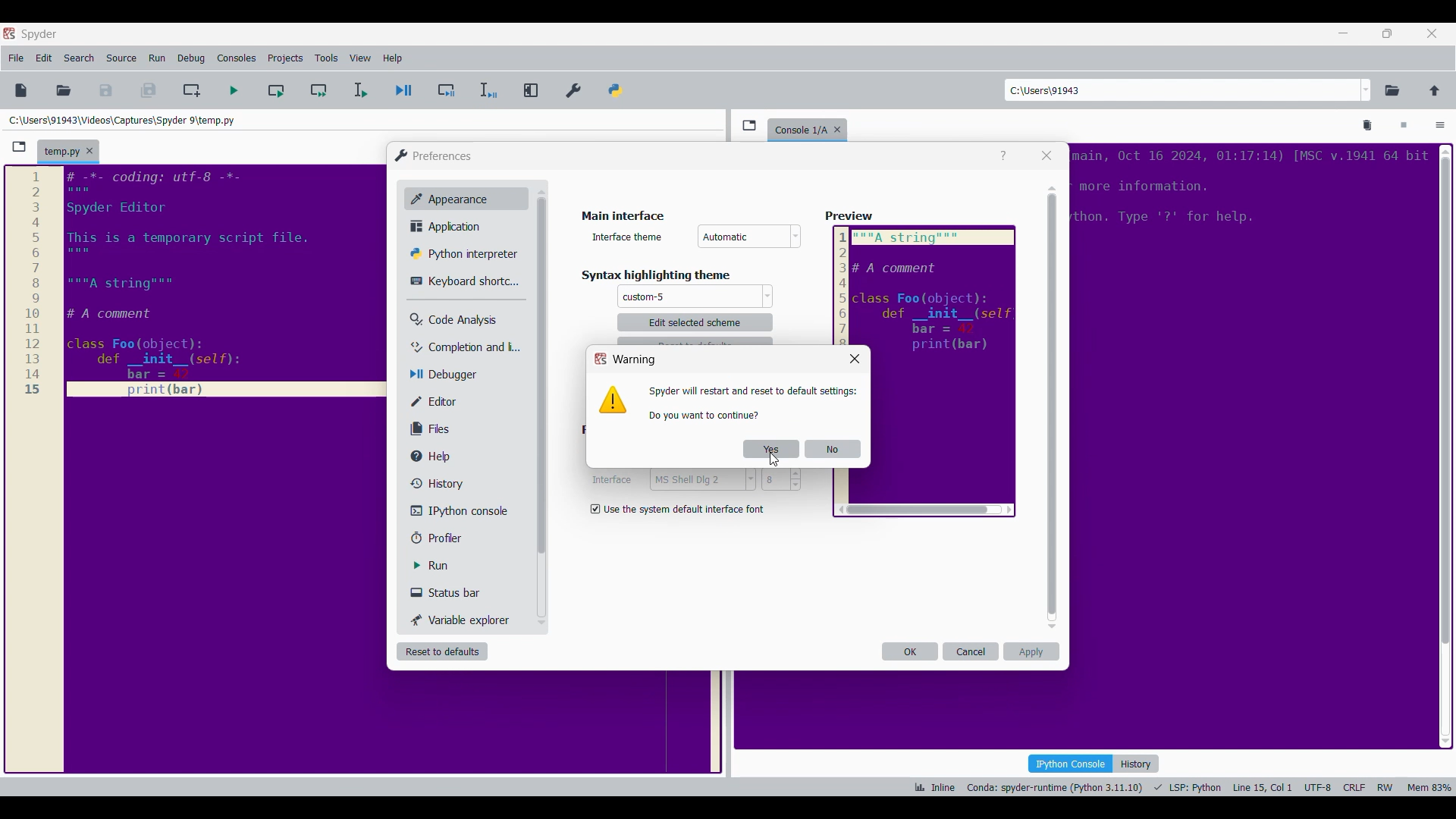 Image resolution: width=1456 pixels, height=819 pixels. Describe the element at coordinates (466, 428) in the screenshot. I see `Files` at that location.